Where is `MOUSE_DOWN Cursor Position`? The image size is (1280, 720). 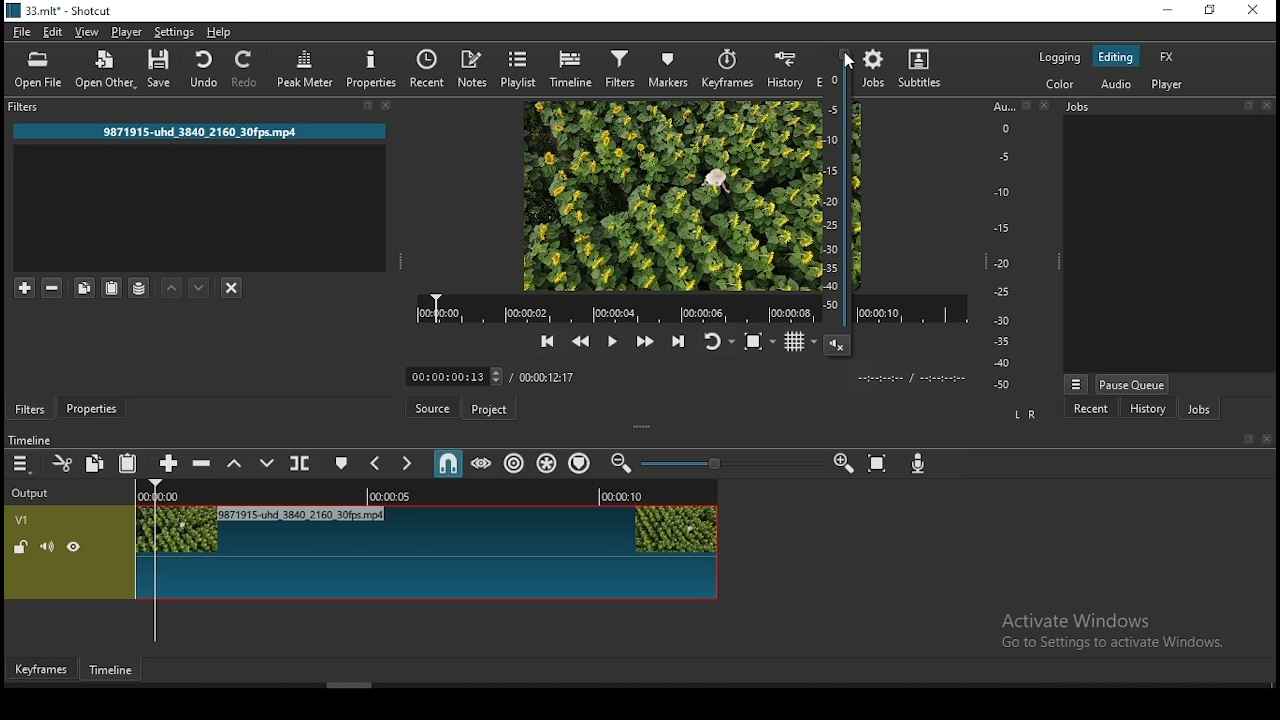
MOUSE_DOWN Cursor Position is located at coordinates (854, 63).